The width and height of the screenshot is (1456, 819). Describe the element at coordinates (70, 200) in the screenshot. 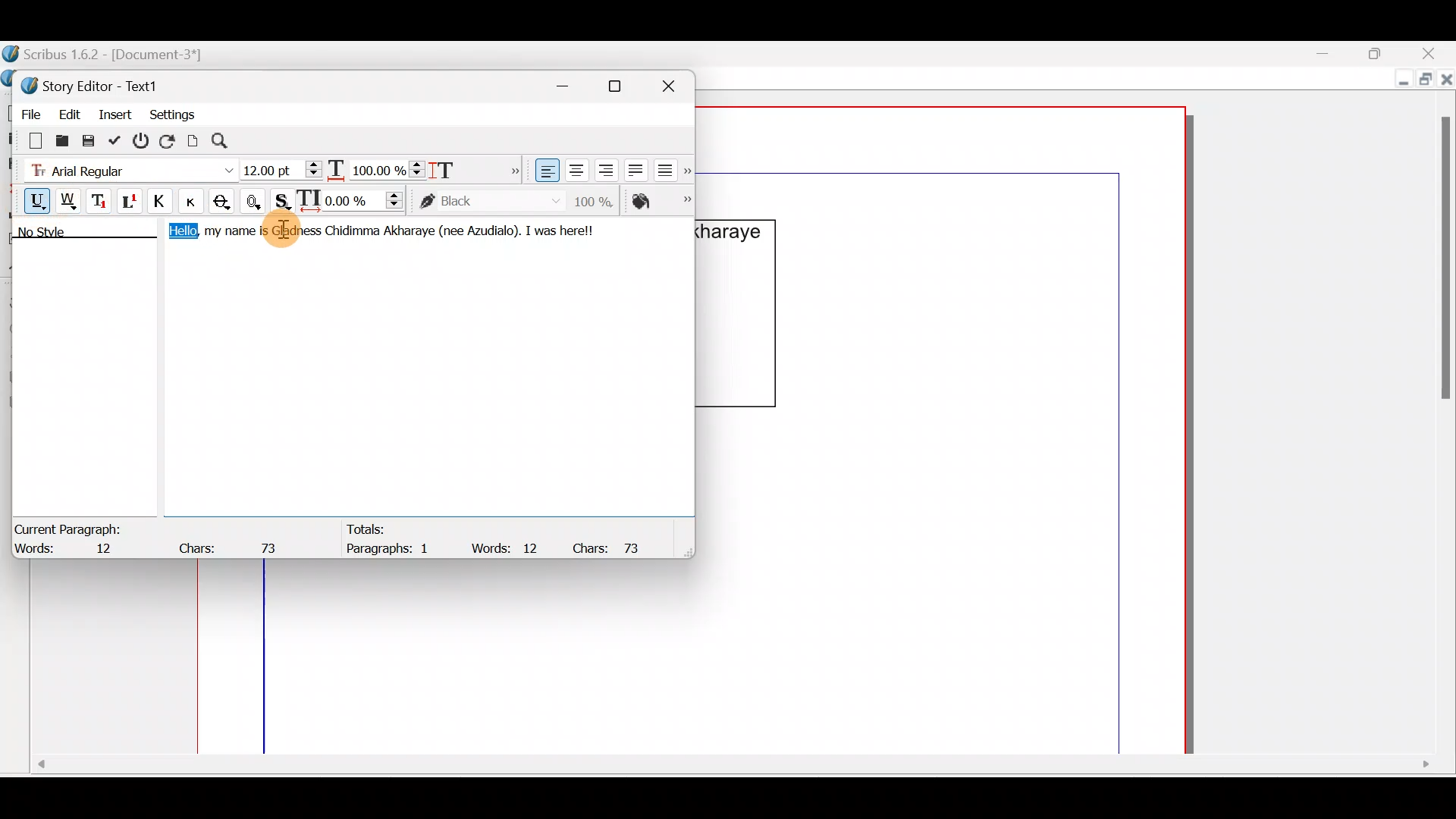

I see `Underline words only` at that location.